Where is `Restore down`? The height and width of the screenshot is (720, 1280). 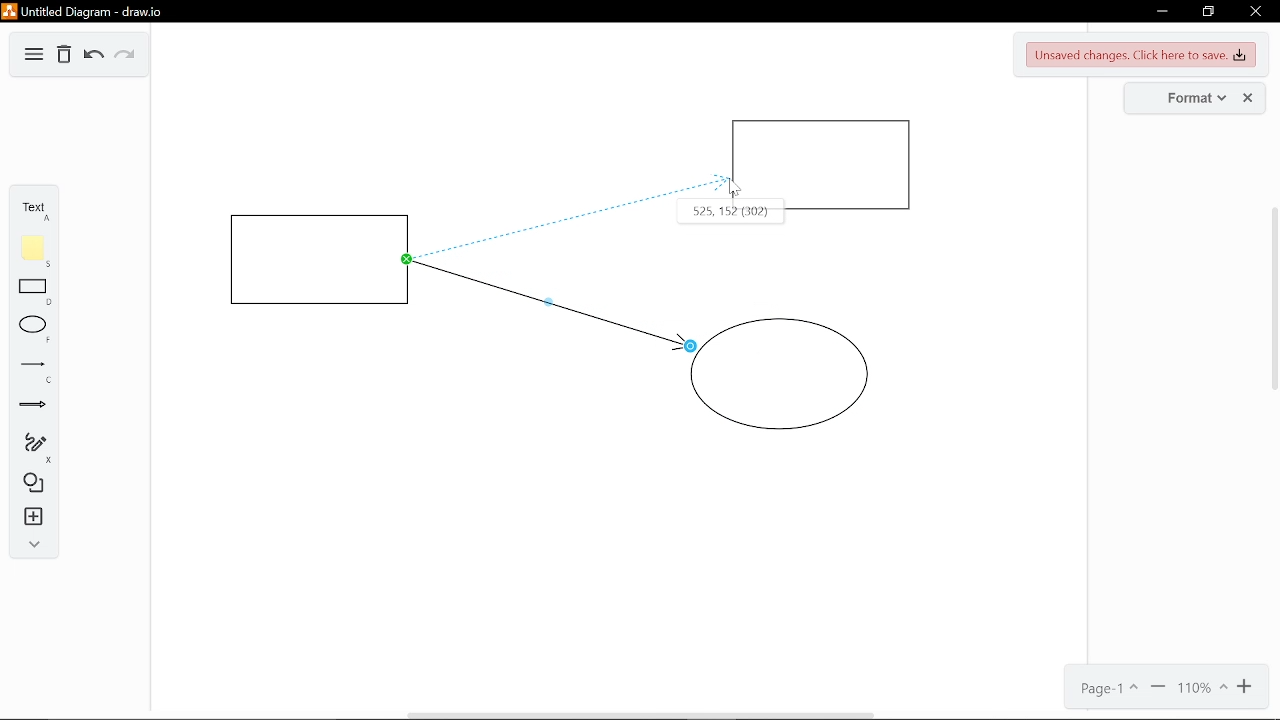
Restore down is located at coordinates (1206, 12).